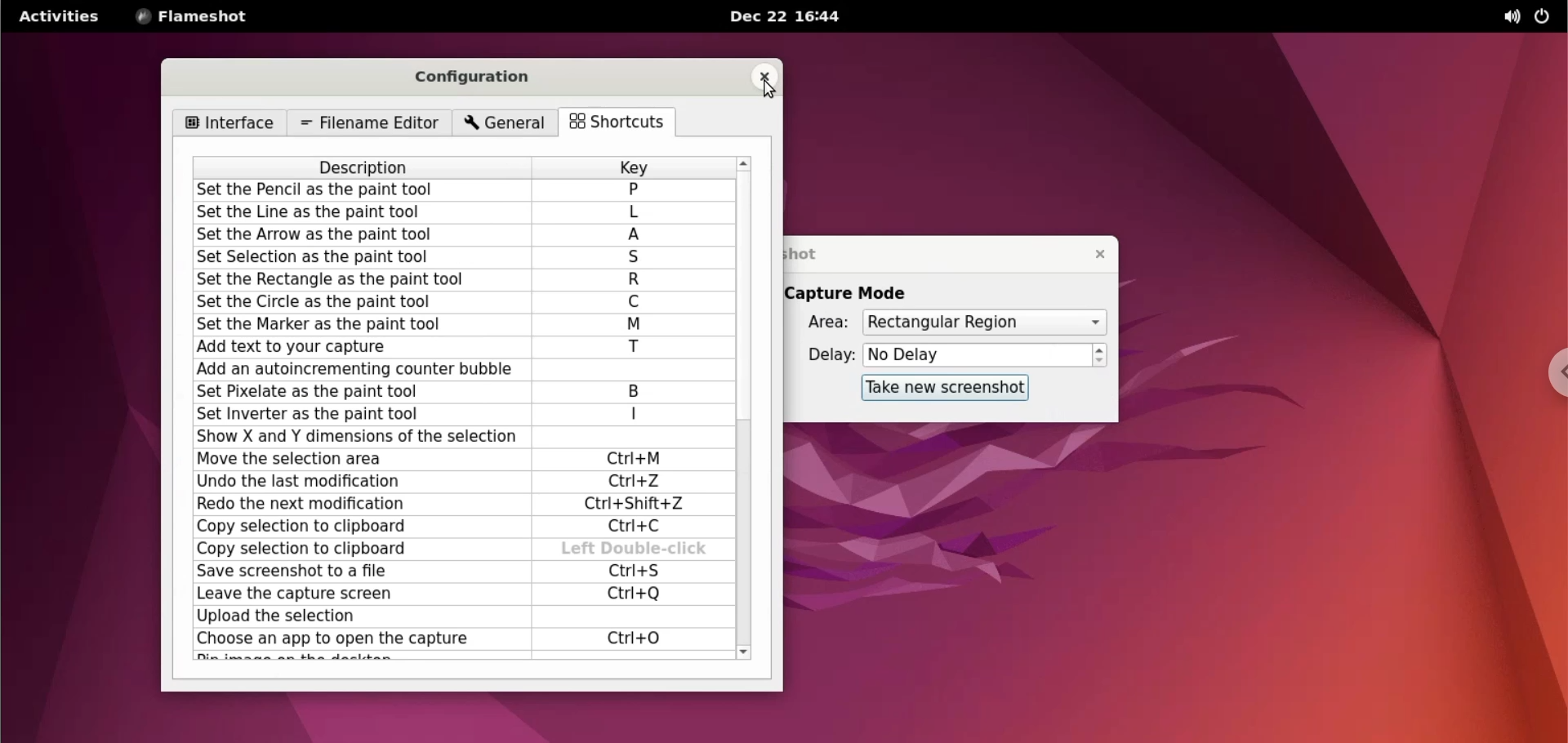 The image size is (1568, 743). What do you see at coordinates (635, 638) in the screenshot?
I see `Ctrl + 0` at bounding box center [635, 638].